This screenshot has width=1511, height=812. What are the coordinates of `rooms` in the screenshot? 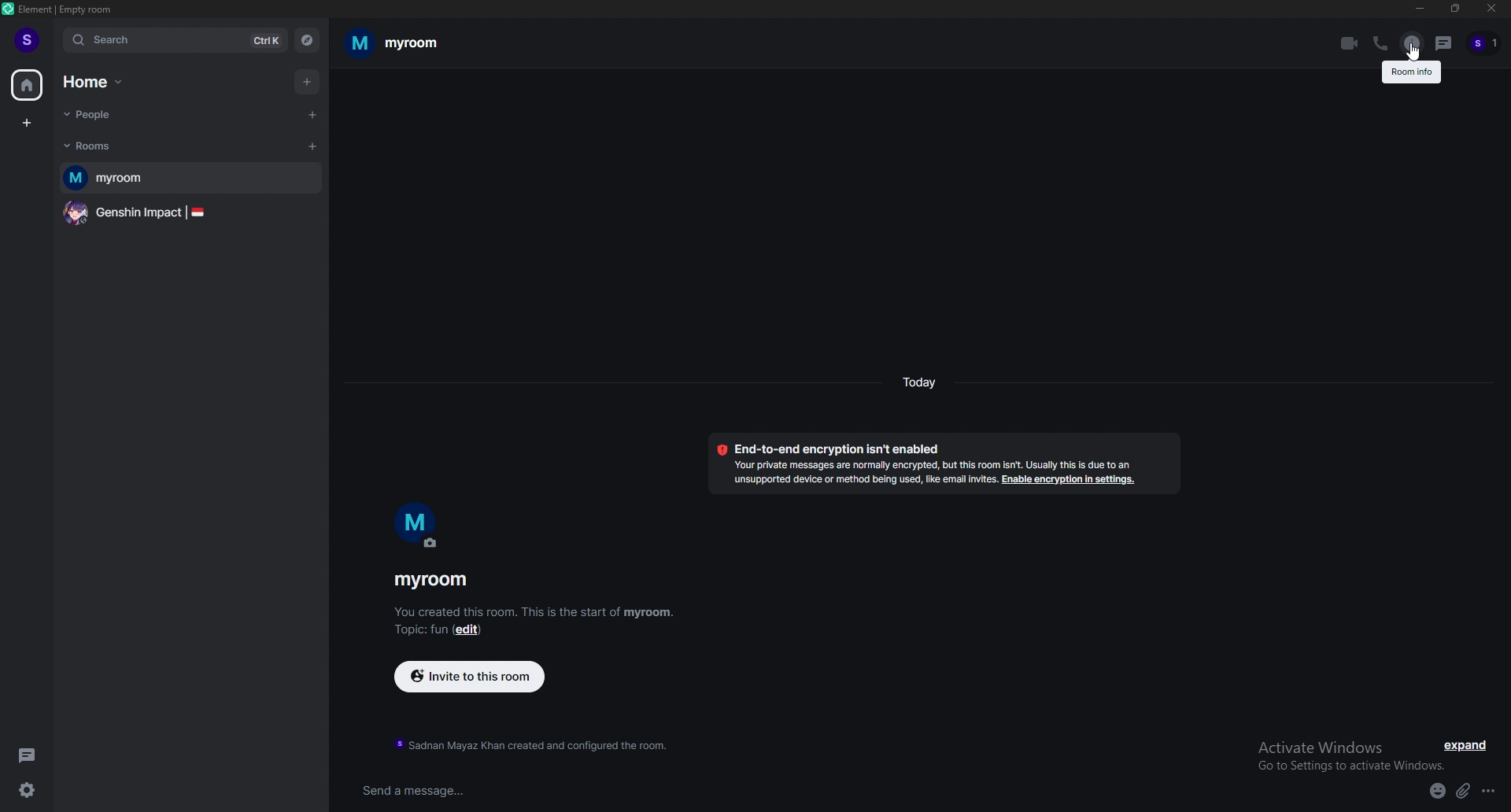 It's located at (106, 147).